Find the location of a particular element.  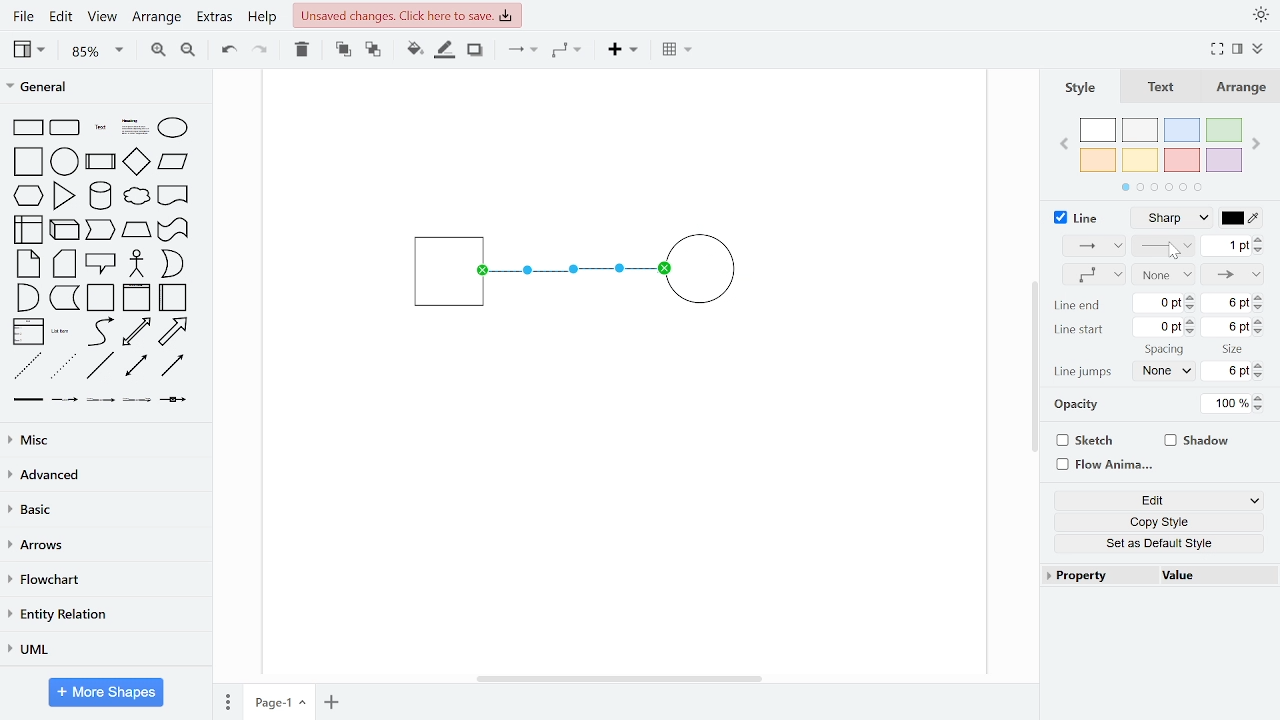

flow animation is located at coordinates (1102, 465).